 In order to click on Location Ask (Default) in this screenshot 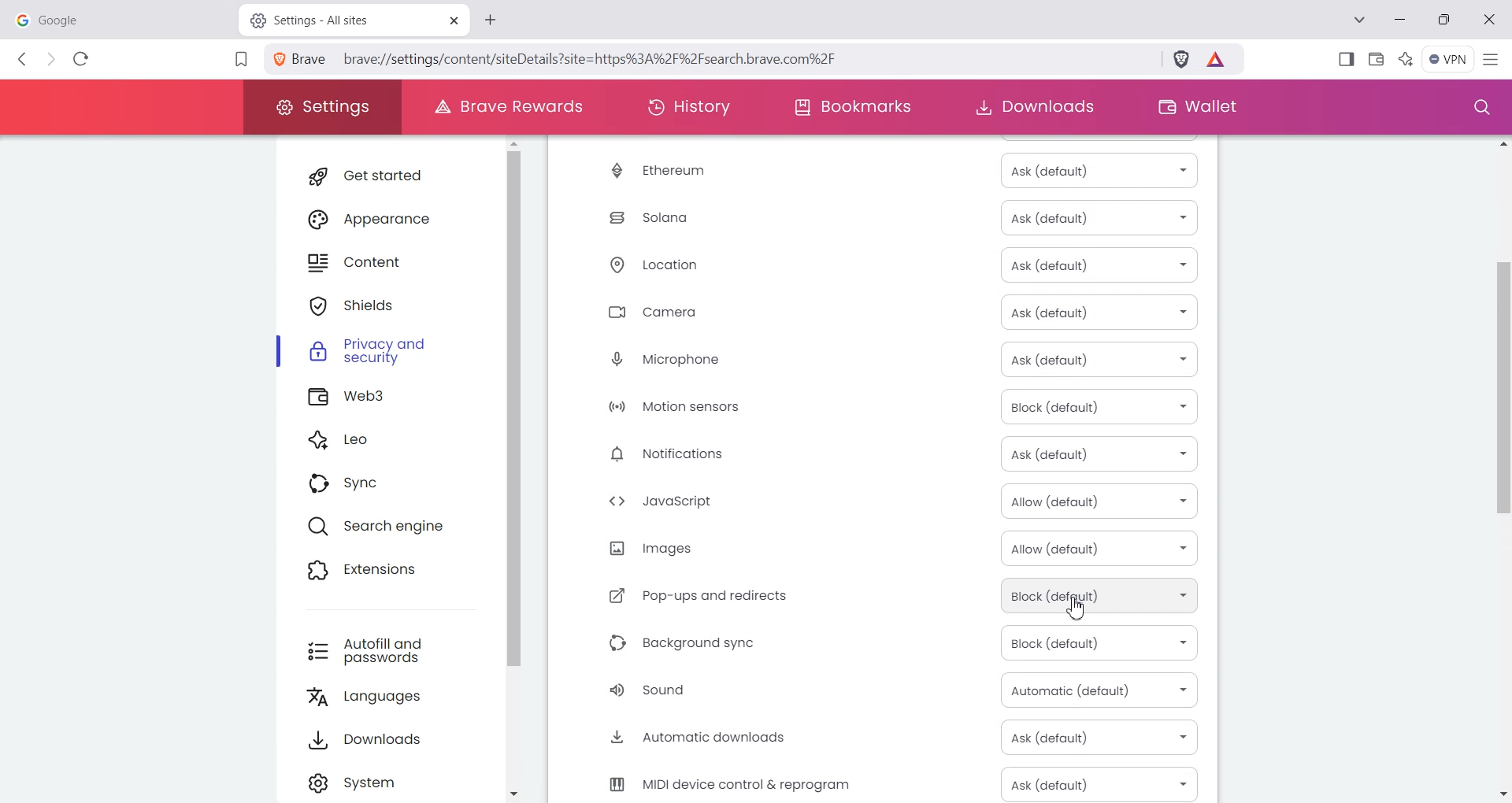, I will do `click(884, 267)`.